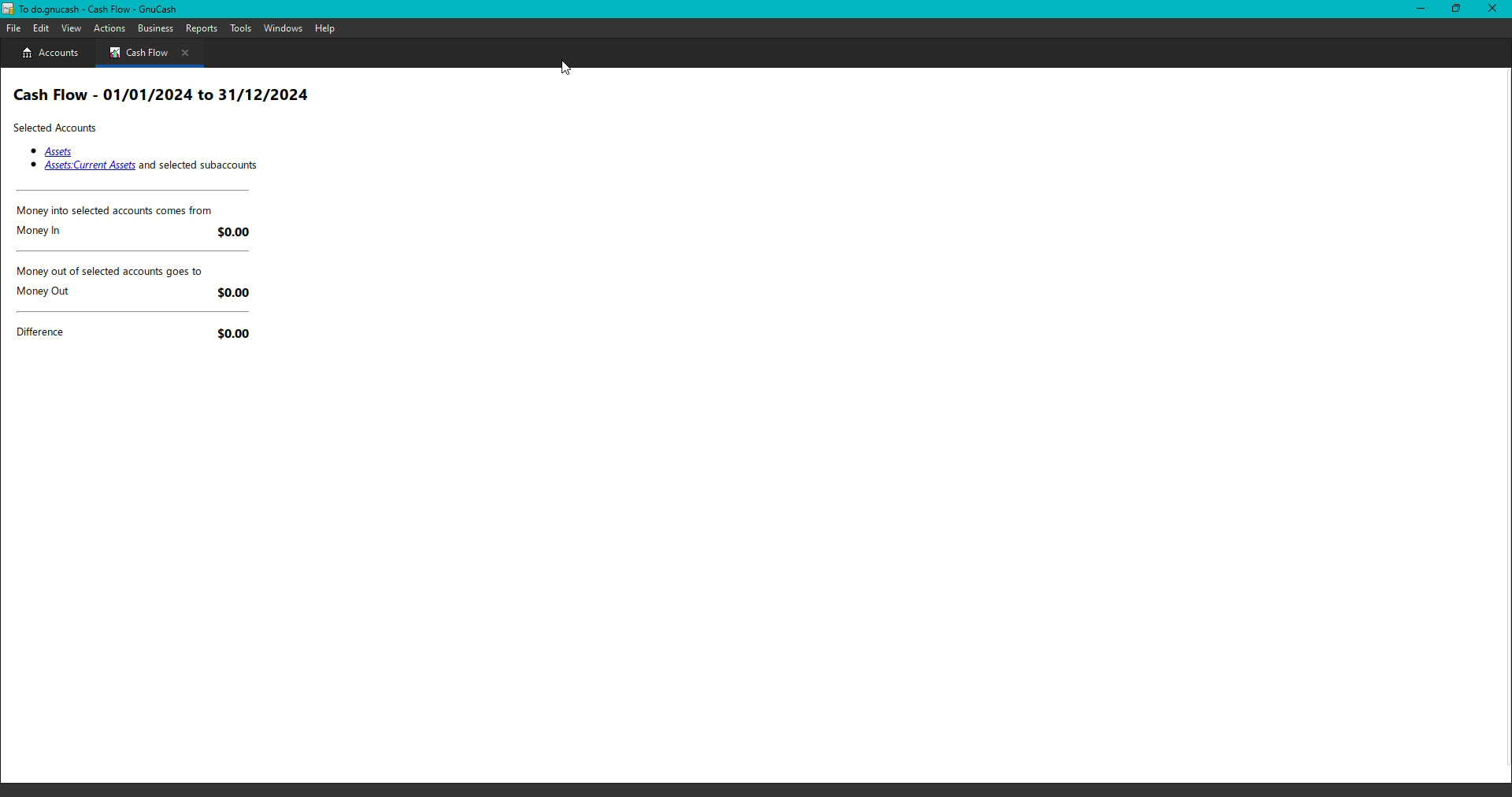 The width and height of the screenshot is (1512, 797). Describe the element at coordinates (51, 150) in the screenshot. I see `Assets` at that location.